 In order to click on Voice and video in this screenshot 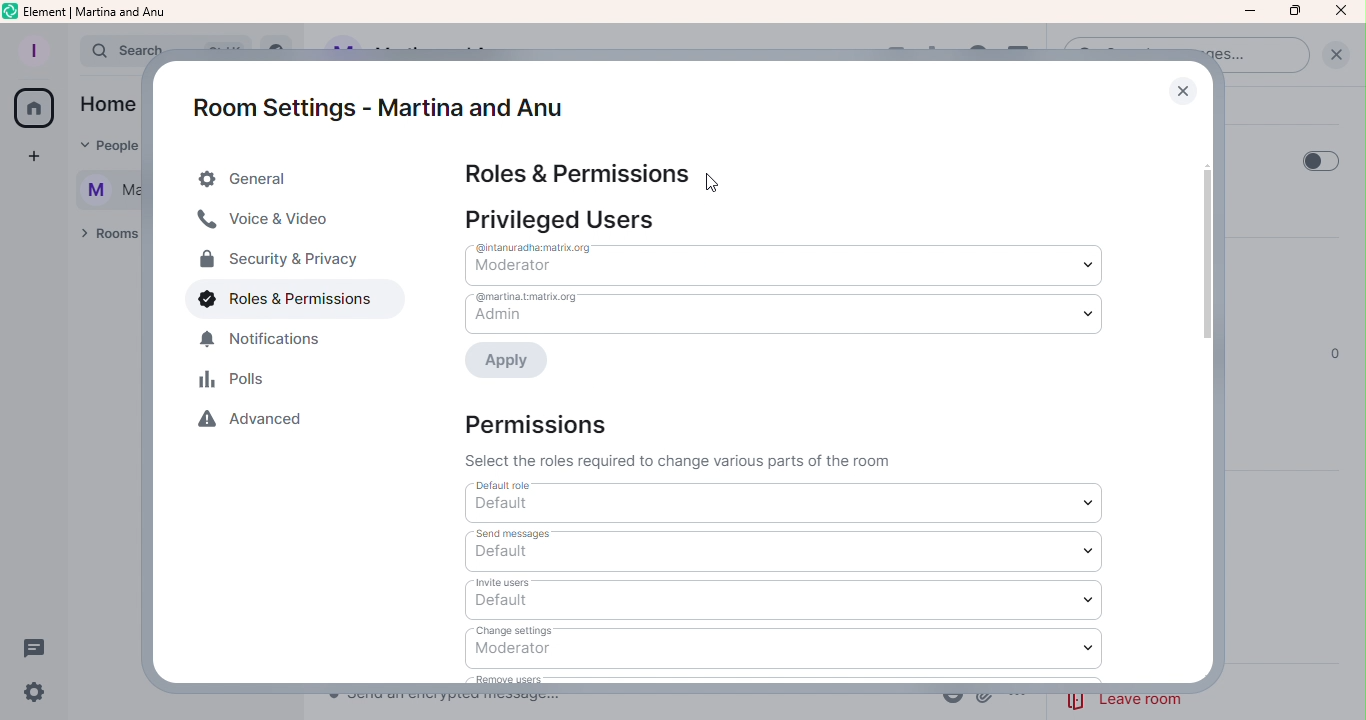, I will do `click(268, 222)`.